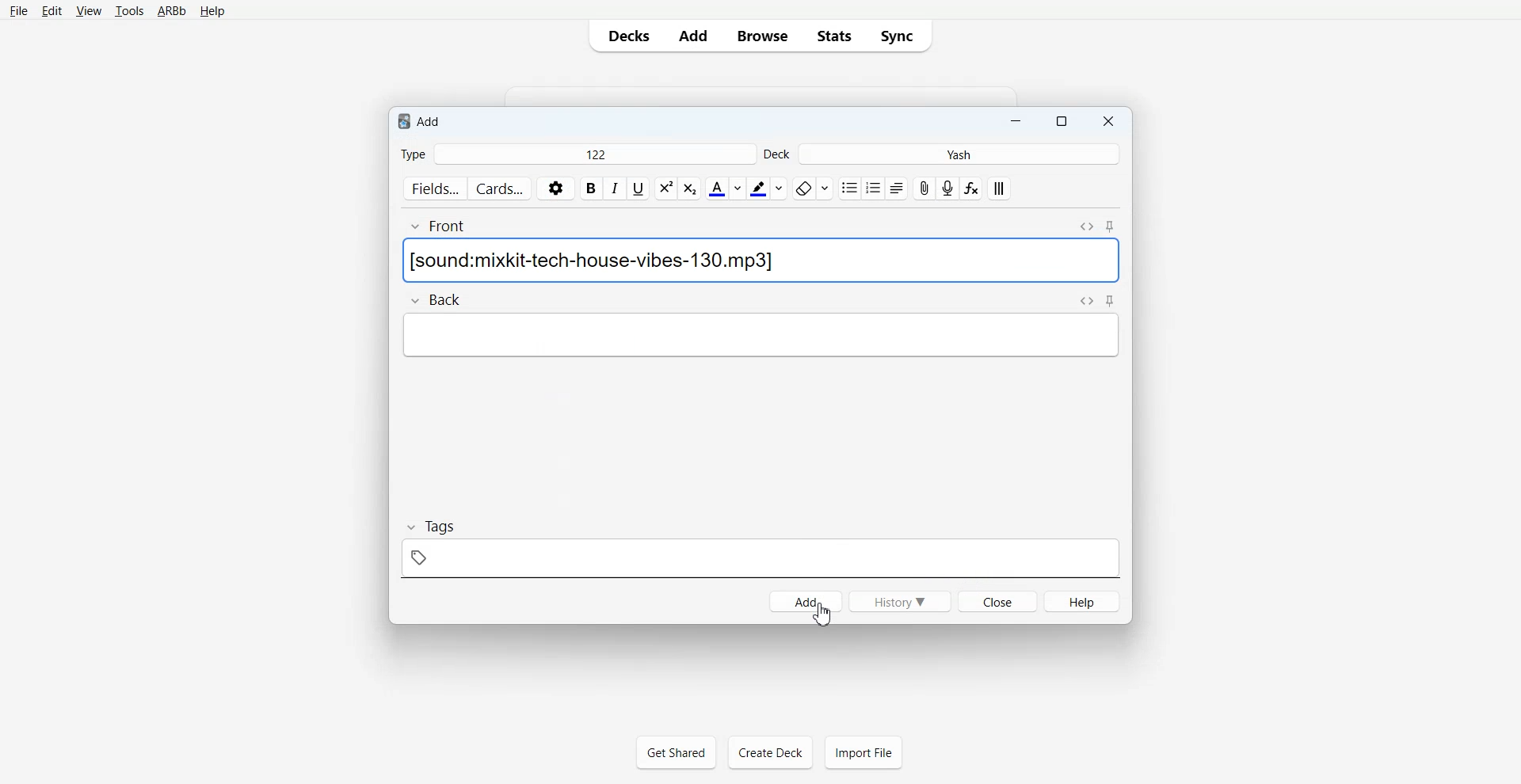  What do you see at coordinates (1016, 122) in the screenshot?
I see `Minimize` at bounding box center [1016, 122].